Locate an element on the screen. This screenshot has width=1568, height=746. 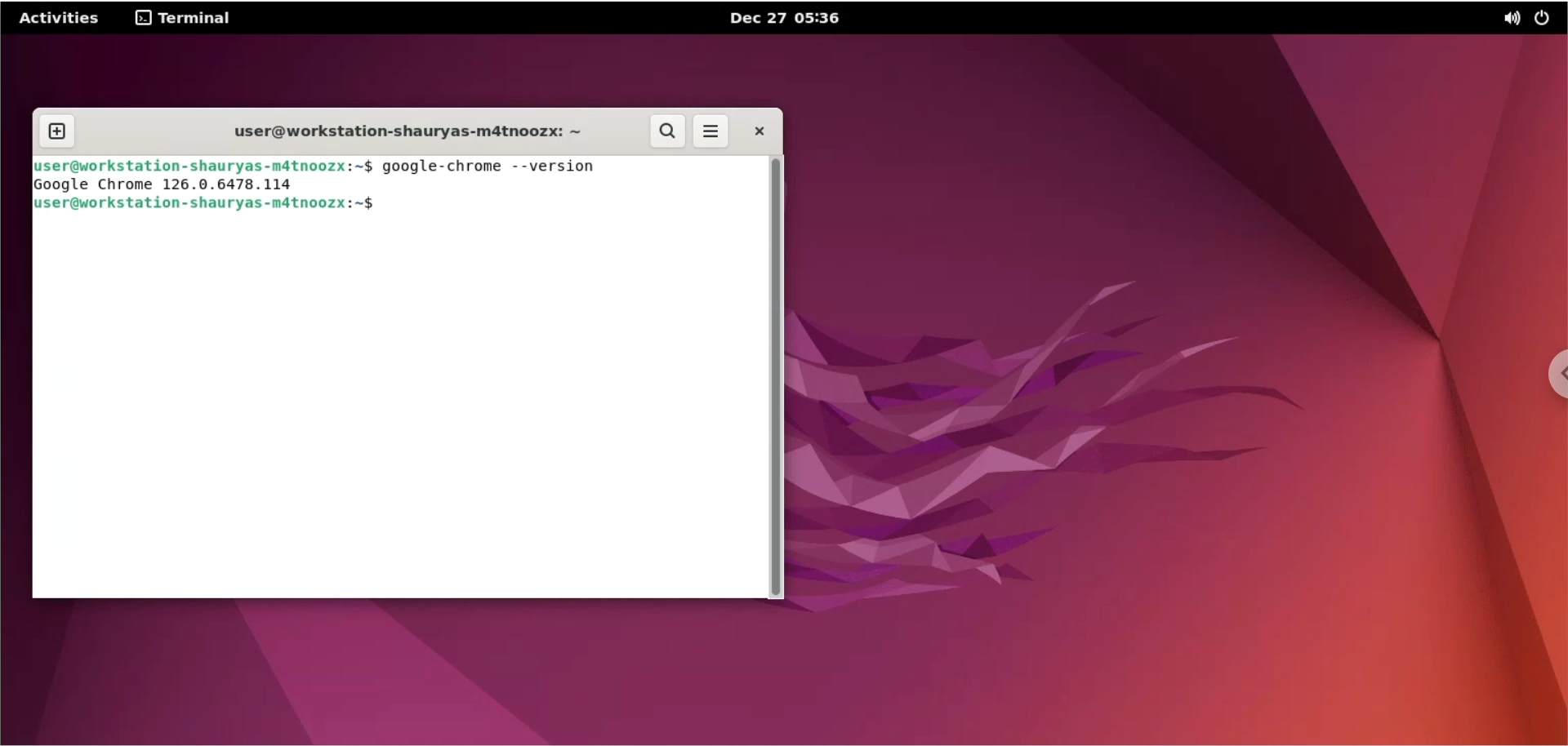
more option is located at coordinates (713, 134).